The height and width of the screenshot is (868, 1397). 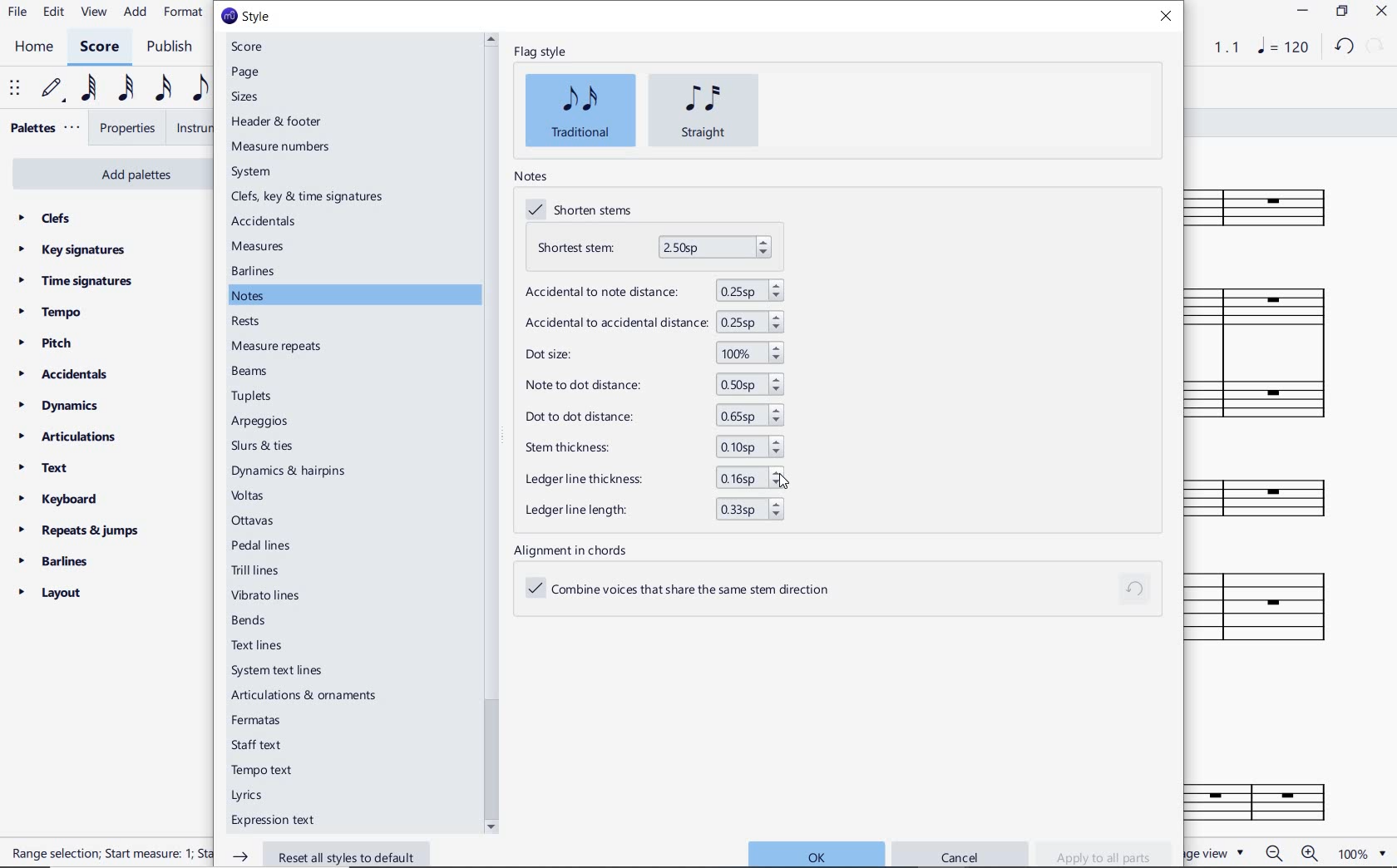 What do you see at coordinates (650, 417) in the screenshot?
I see `dot to dot distance` at bounding box center [650, 417].